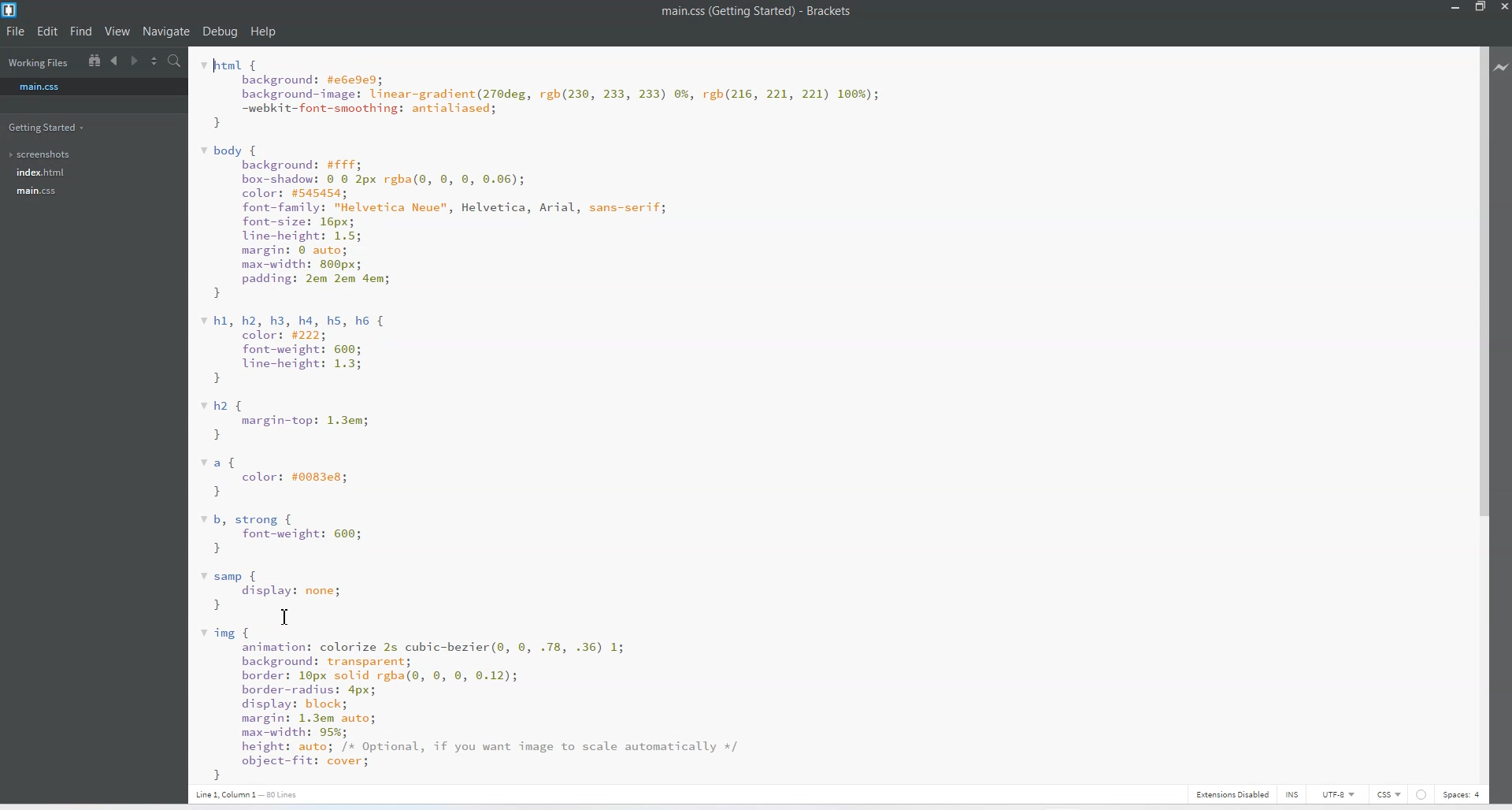 Image resolution: width=1512 pixels, height=810 pixels. What do you see at coordinates (17, 32) in the screenshot?
I see `File` at bounding box center [17, 32].